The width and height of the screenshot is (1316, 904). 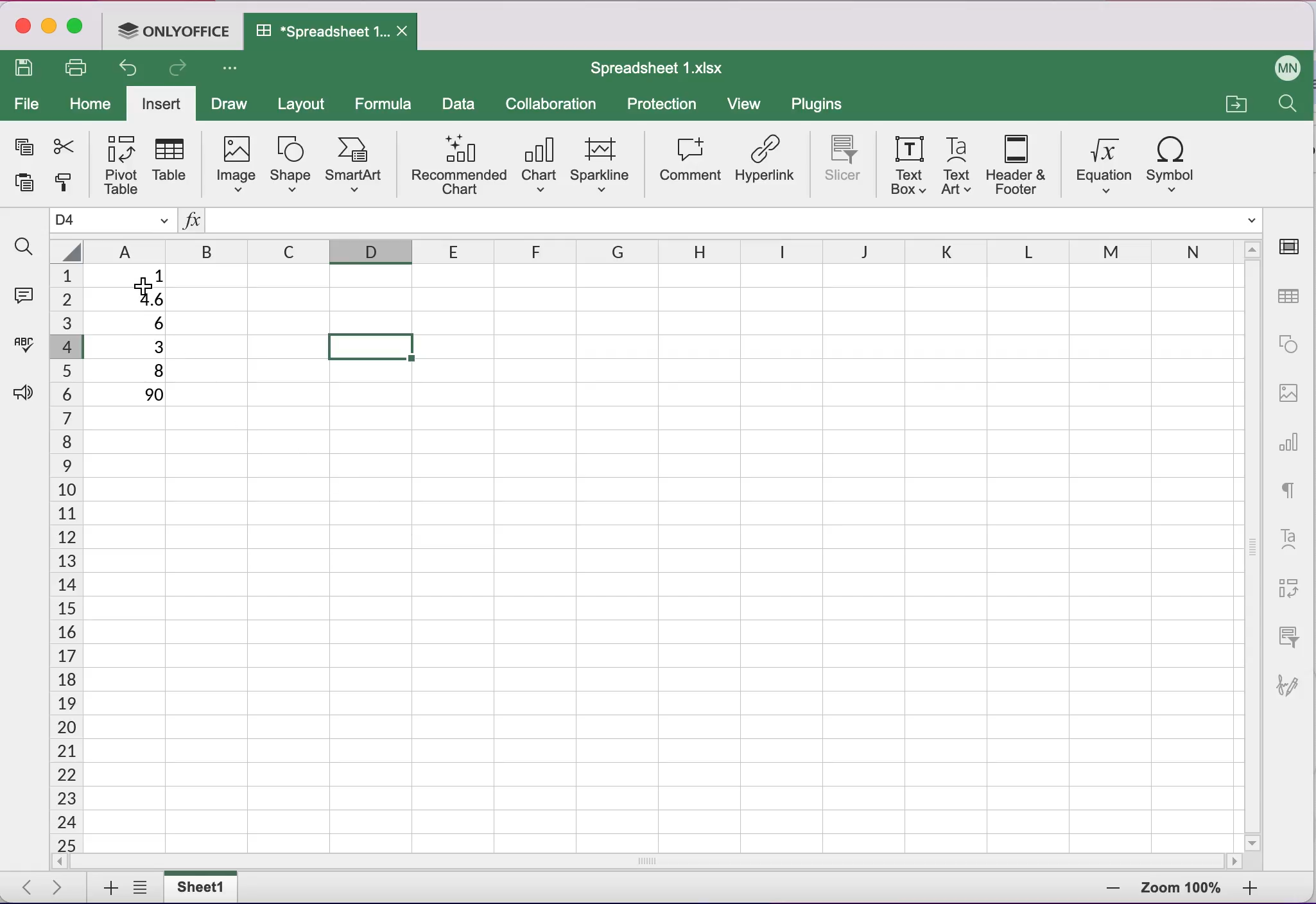 I want to click on paste, so click(x=24, y=185).